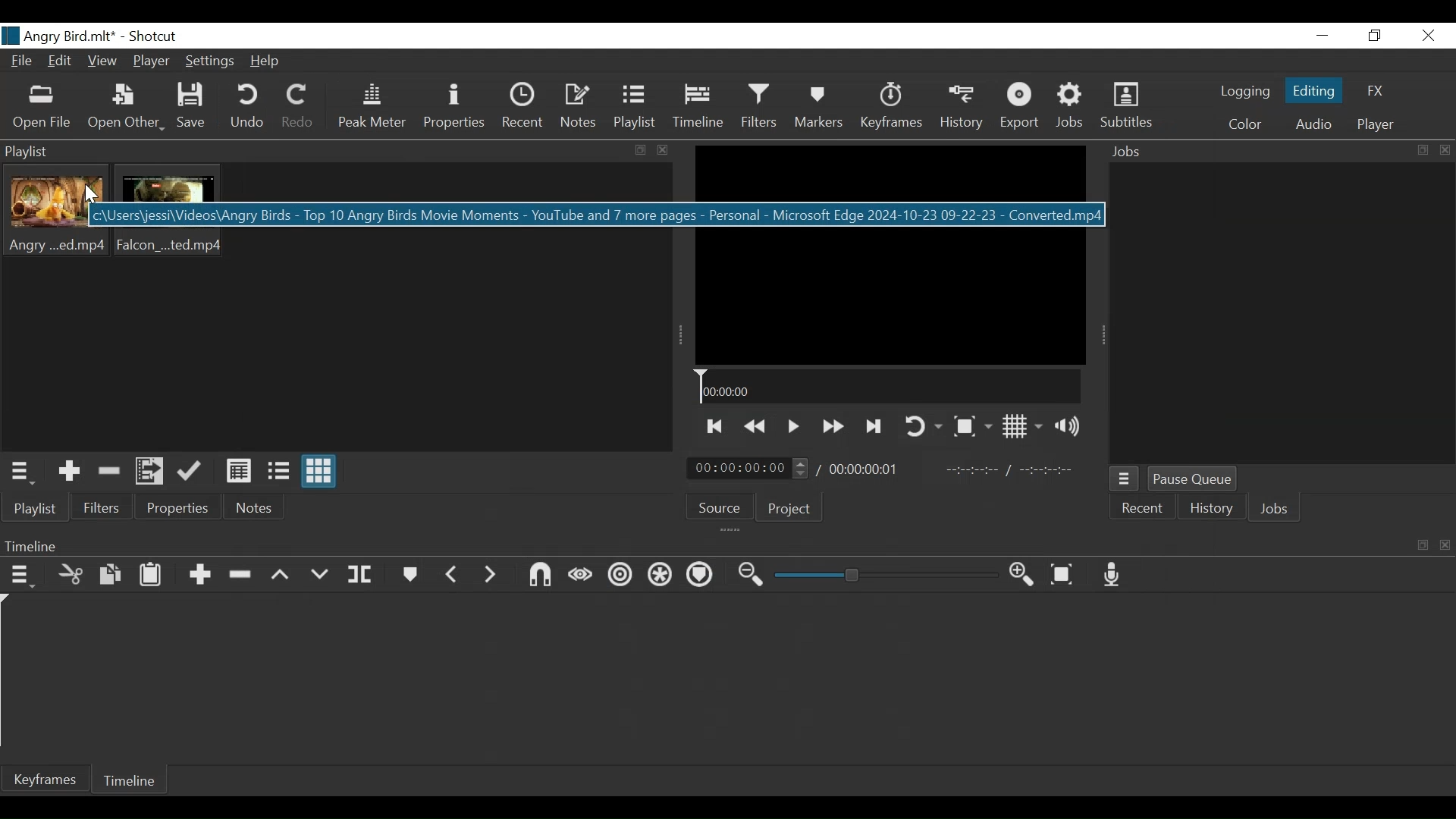  Describe the element at coordinates (1428, 35) in the screenshot. I see `Close` at that location.